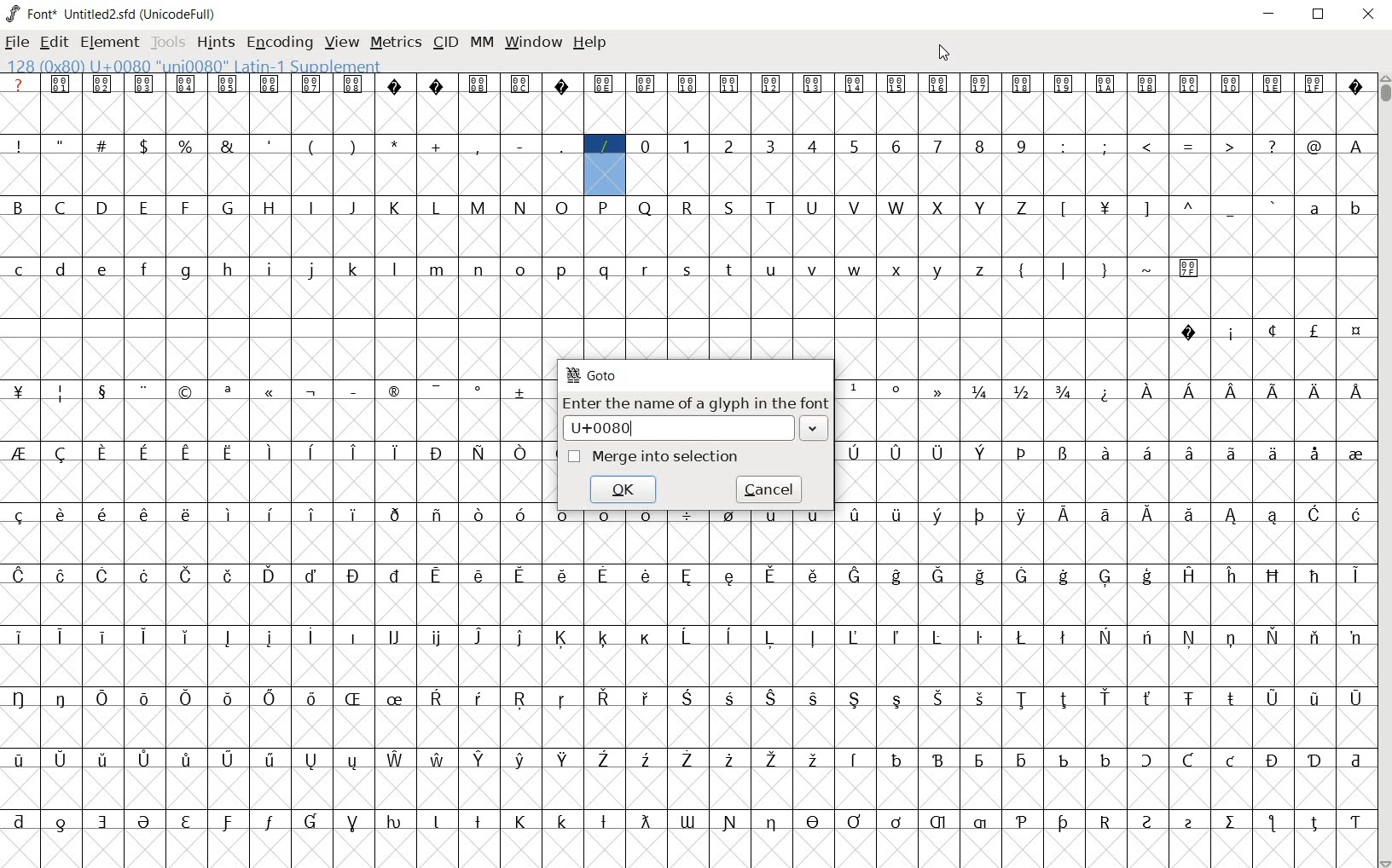 Image resolution: width=1392 pixels, height=868 pixels. Describe the element at coordinates (480, 42) in the screenshot. I see `MM` at that location.